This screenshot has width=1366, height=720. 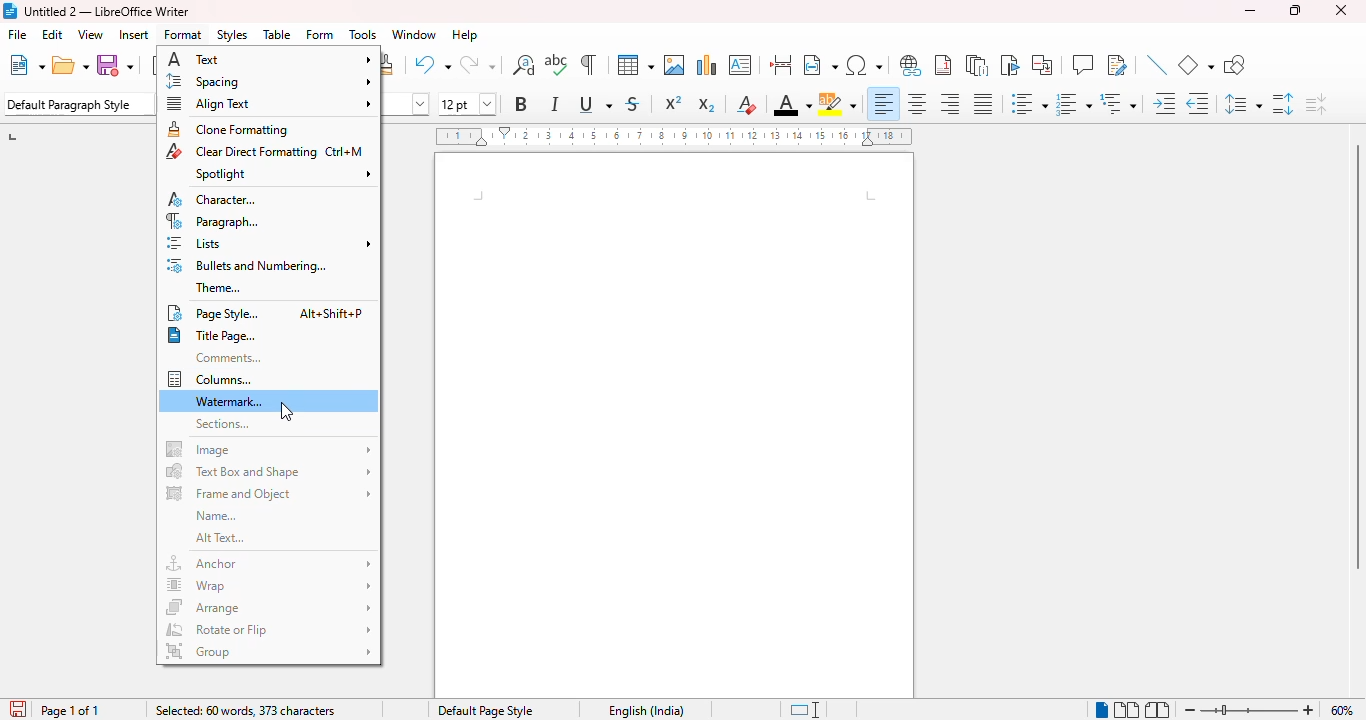 I want to click on window, so click(x=413, y=34).